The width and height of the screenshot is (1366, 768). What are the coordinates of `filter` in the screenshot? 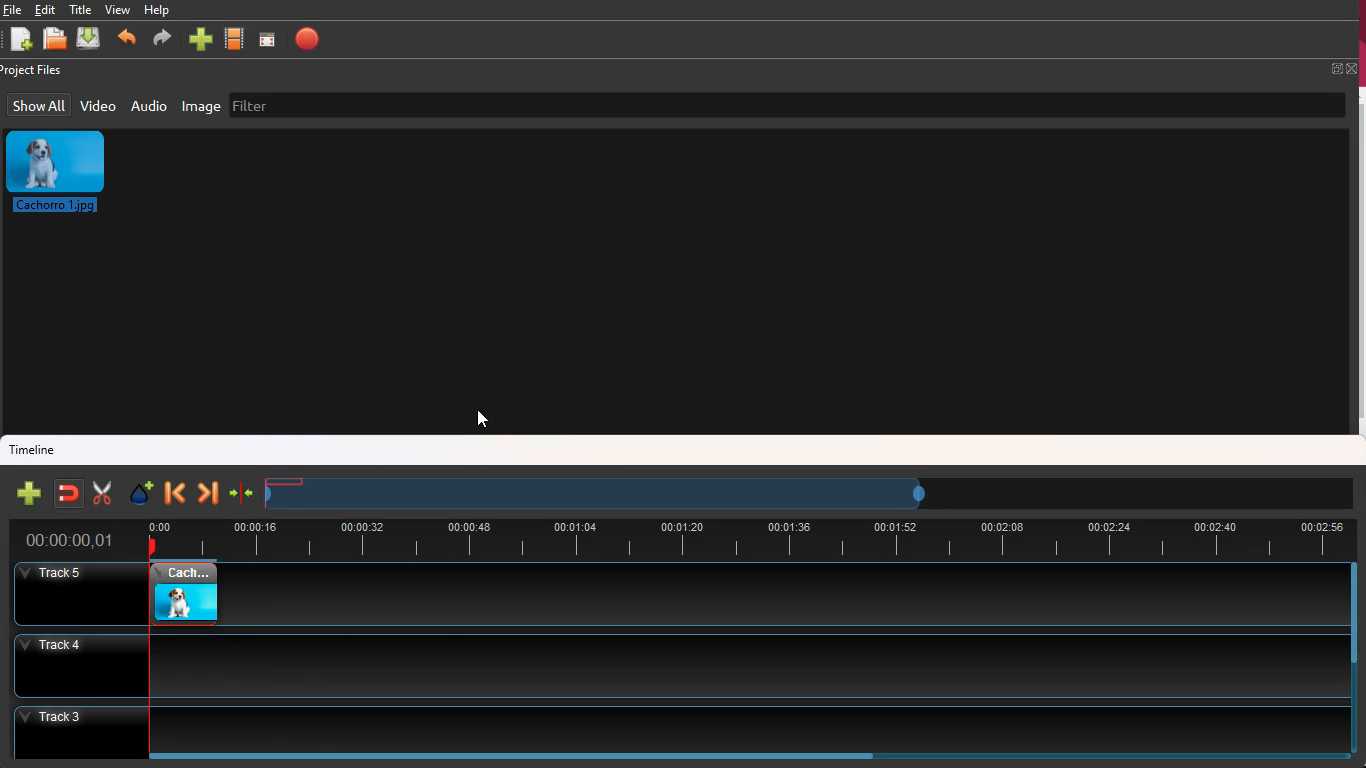 It's located at (274, 108).